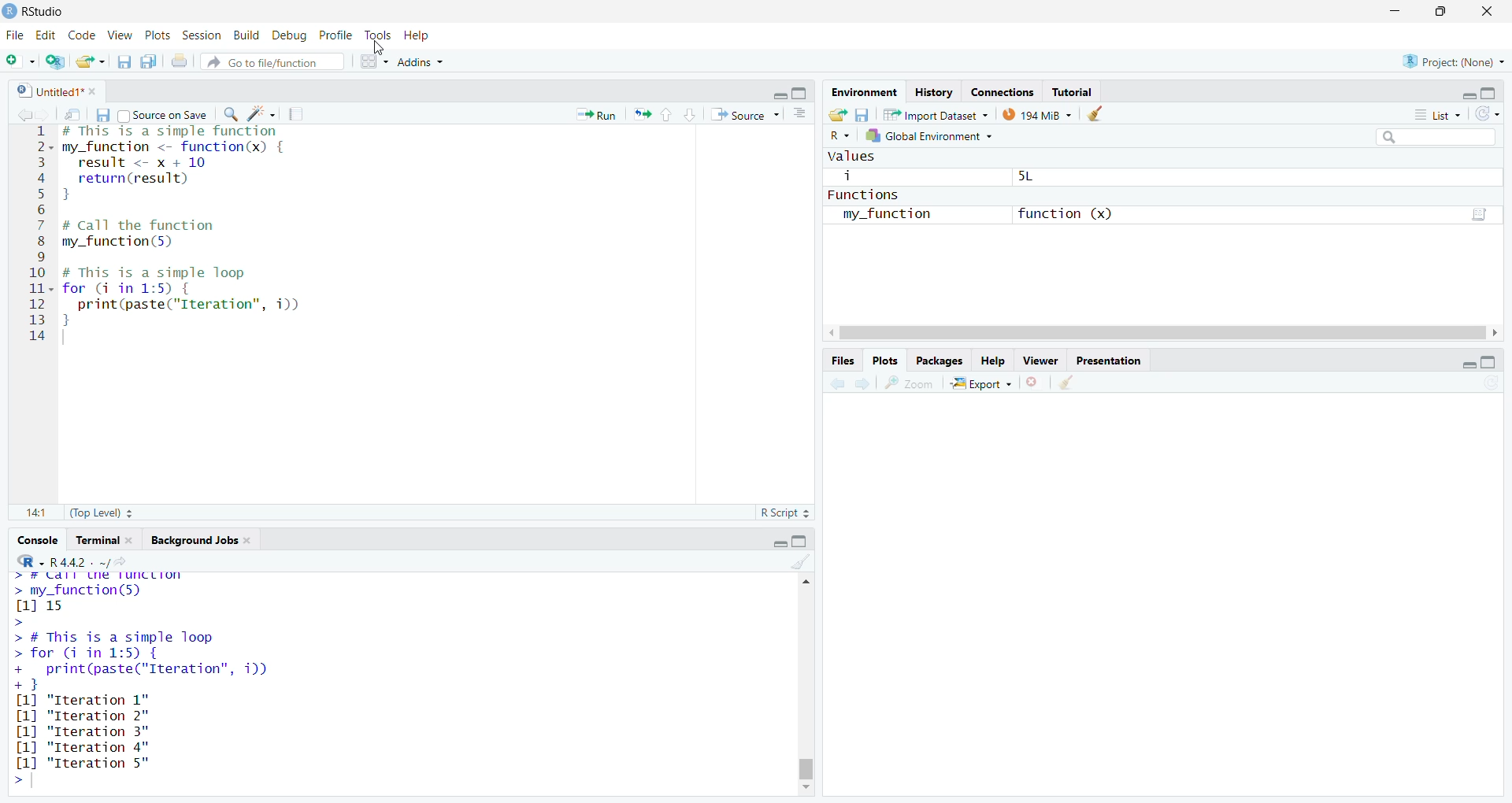 The image size is (1512, 803). What do you see at coordinates (42, 90) in the screenshot?
I see `untitled` at bounding box center [42, 90].